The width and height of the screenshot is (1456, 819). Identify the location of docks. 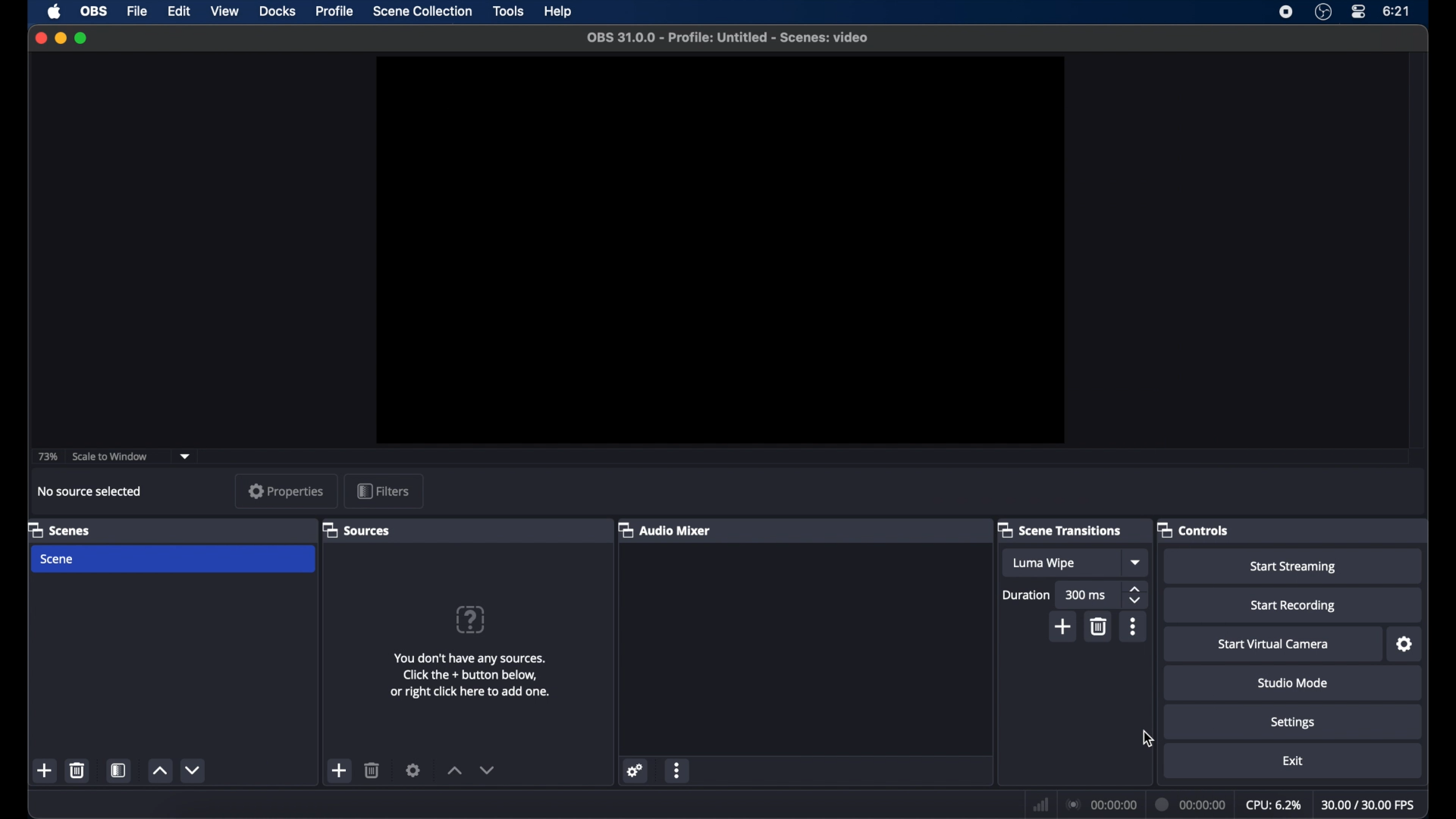
(278, 11).